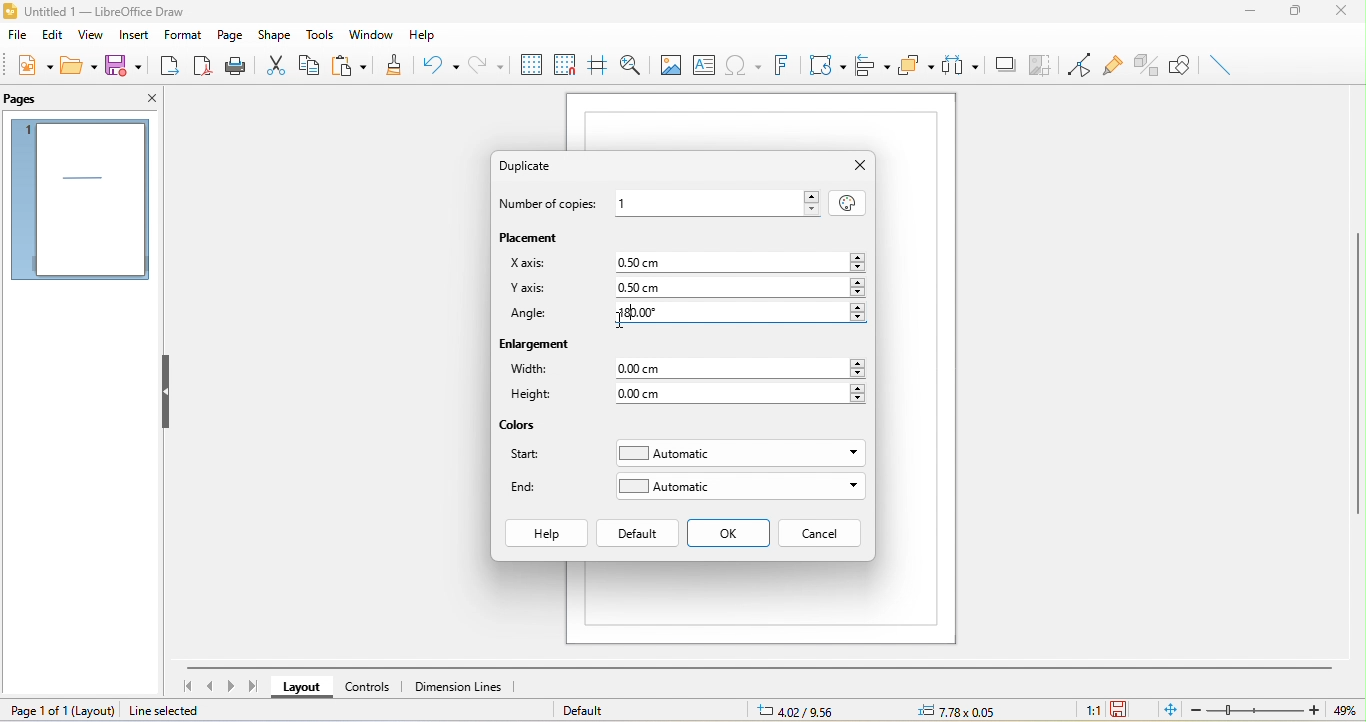  What do you see at coordinates (638, 533) in the screenshot?
I see `default` at bounding box center [638, 533].